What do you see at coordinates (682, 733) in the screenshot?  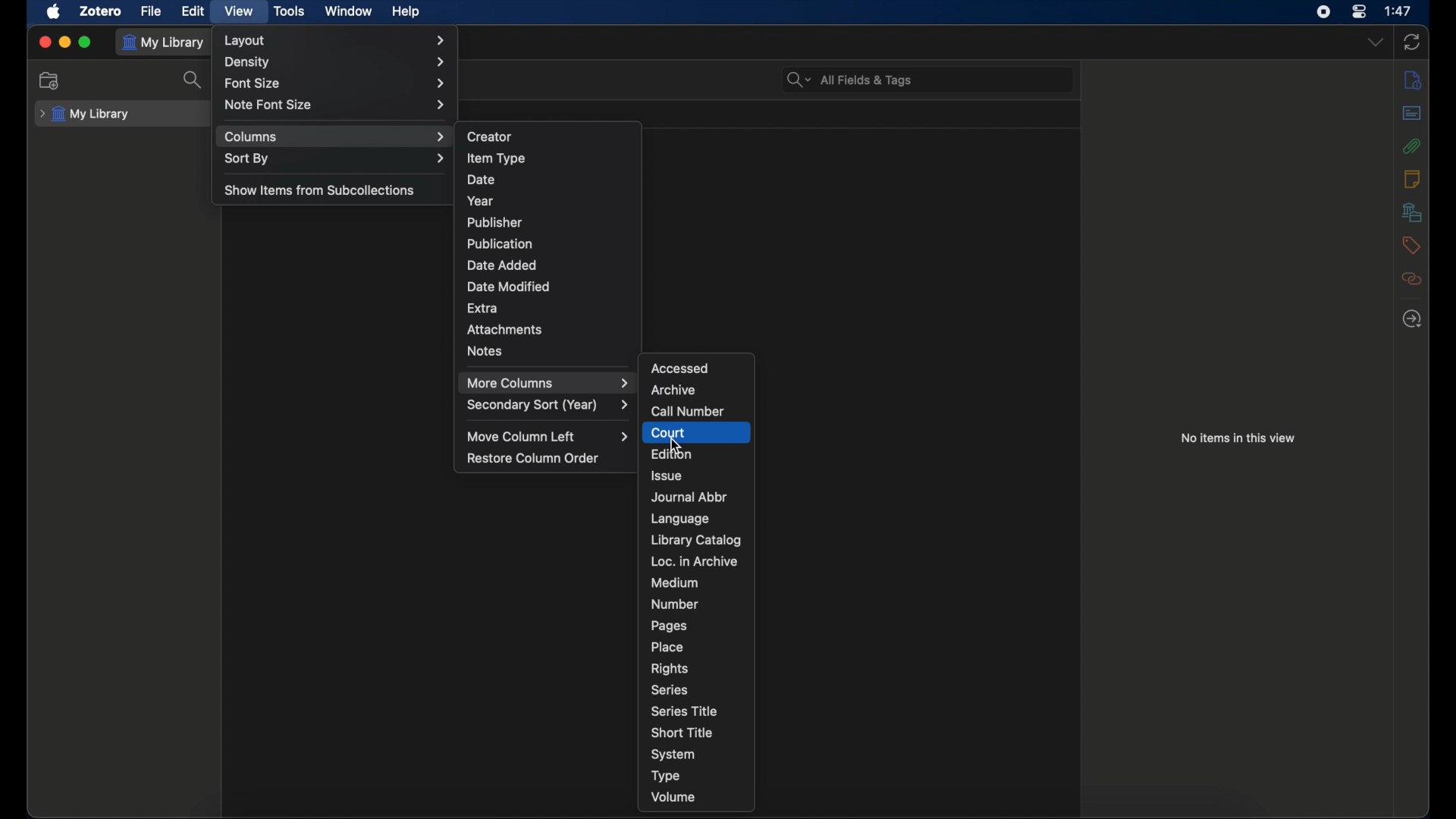 I see `short title` at bounding box center [682, 733].